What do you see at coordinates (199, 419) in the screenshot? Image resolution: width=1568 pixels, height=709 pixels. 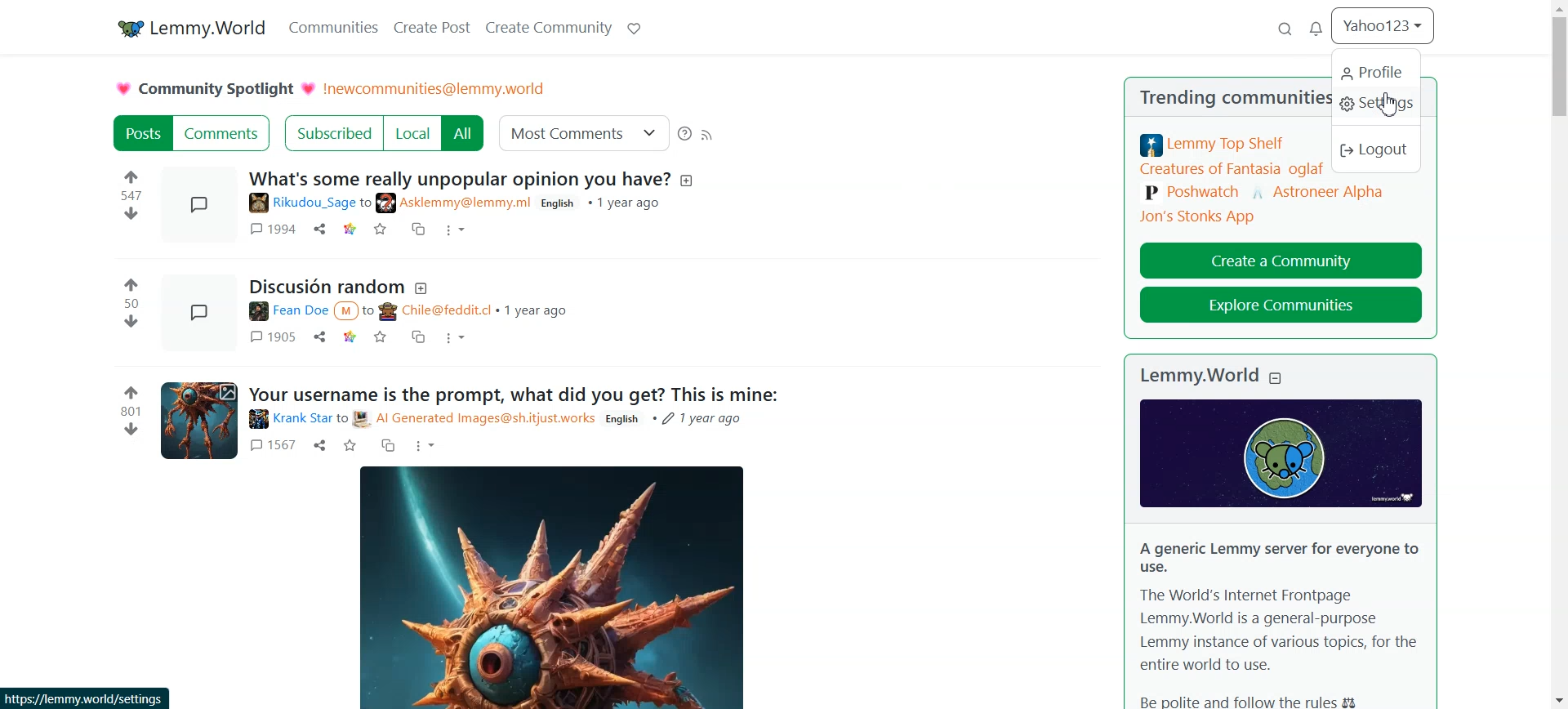 I see `thumbnail` at bounding box center [199, 419].